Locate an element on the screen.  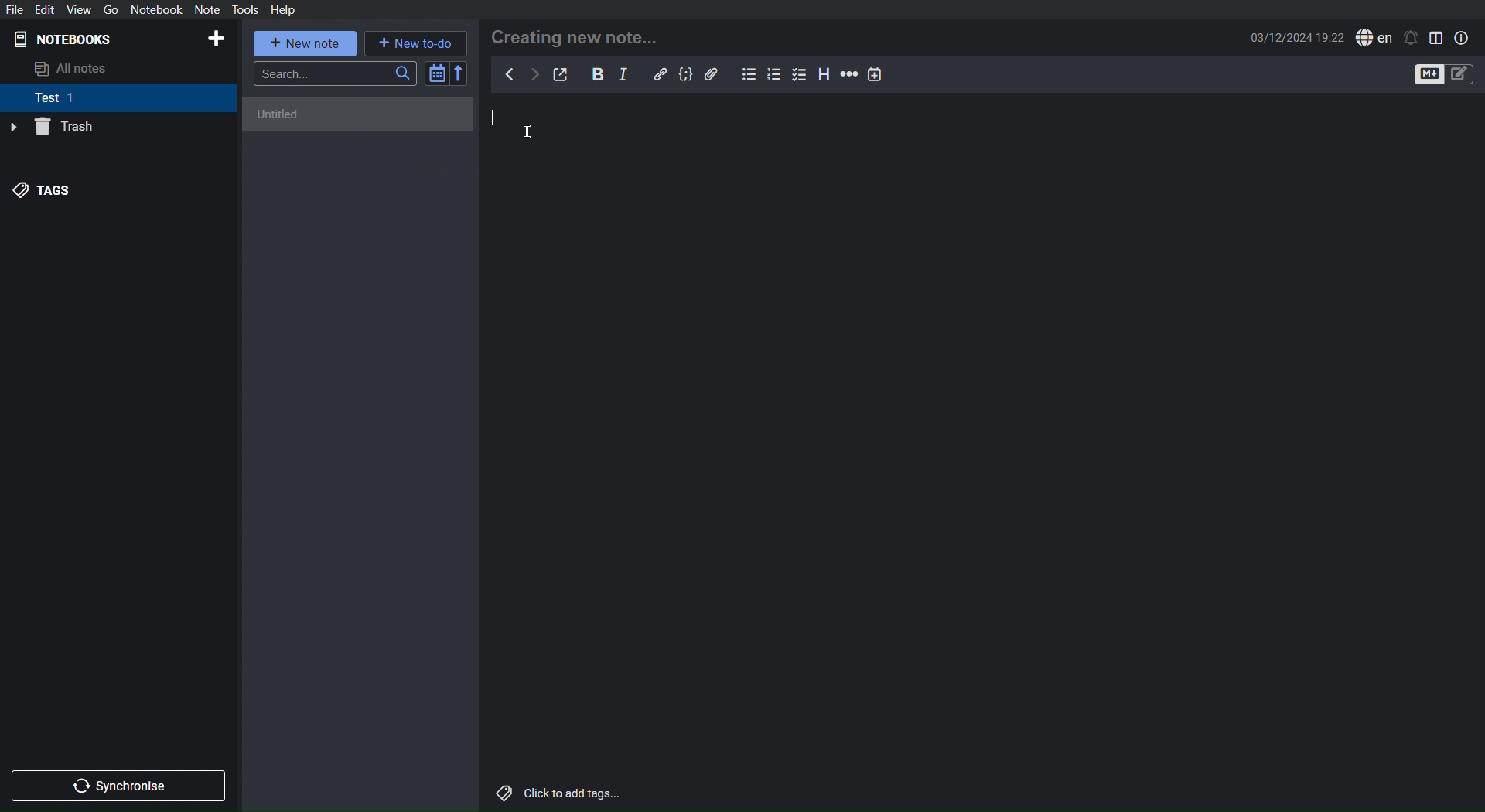
Tags is located at coordinates (43, 191).